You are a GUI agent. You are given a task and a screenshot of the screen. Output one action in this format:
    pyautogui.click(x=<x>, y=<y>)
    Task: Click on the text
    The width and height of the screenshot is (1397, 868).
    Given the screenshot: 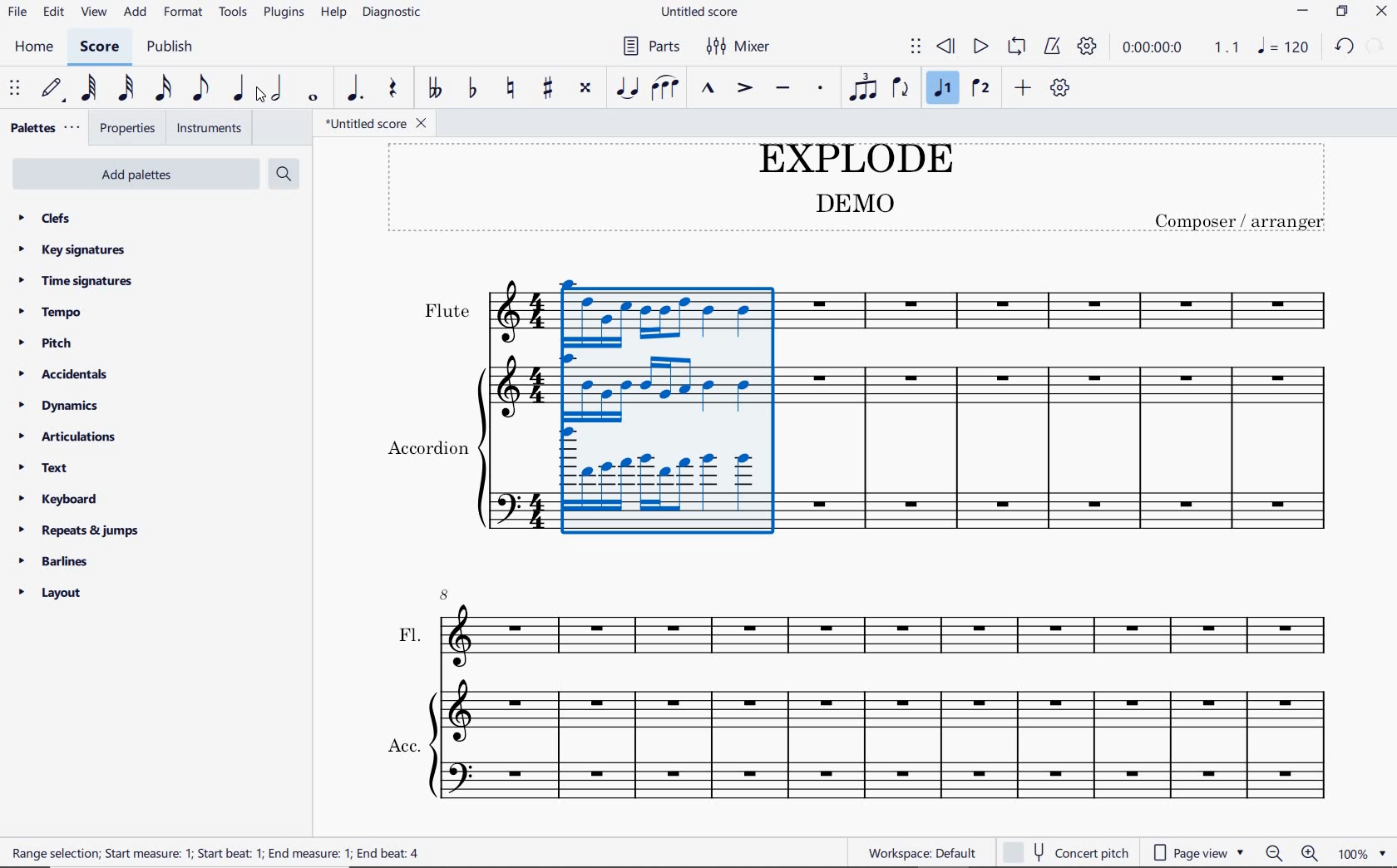 What is the action you would take?
    pyautogui.click(x=46, y=469)
    